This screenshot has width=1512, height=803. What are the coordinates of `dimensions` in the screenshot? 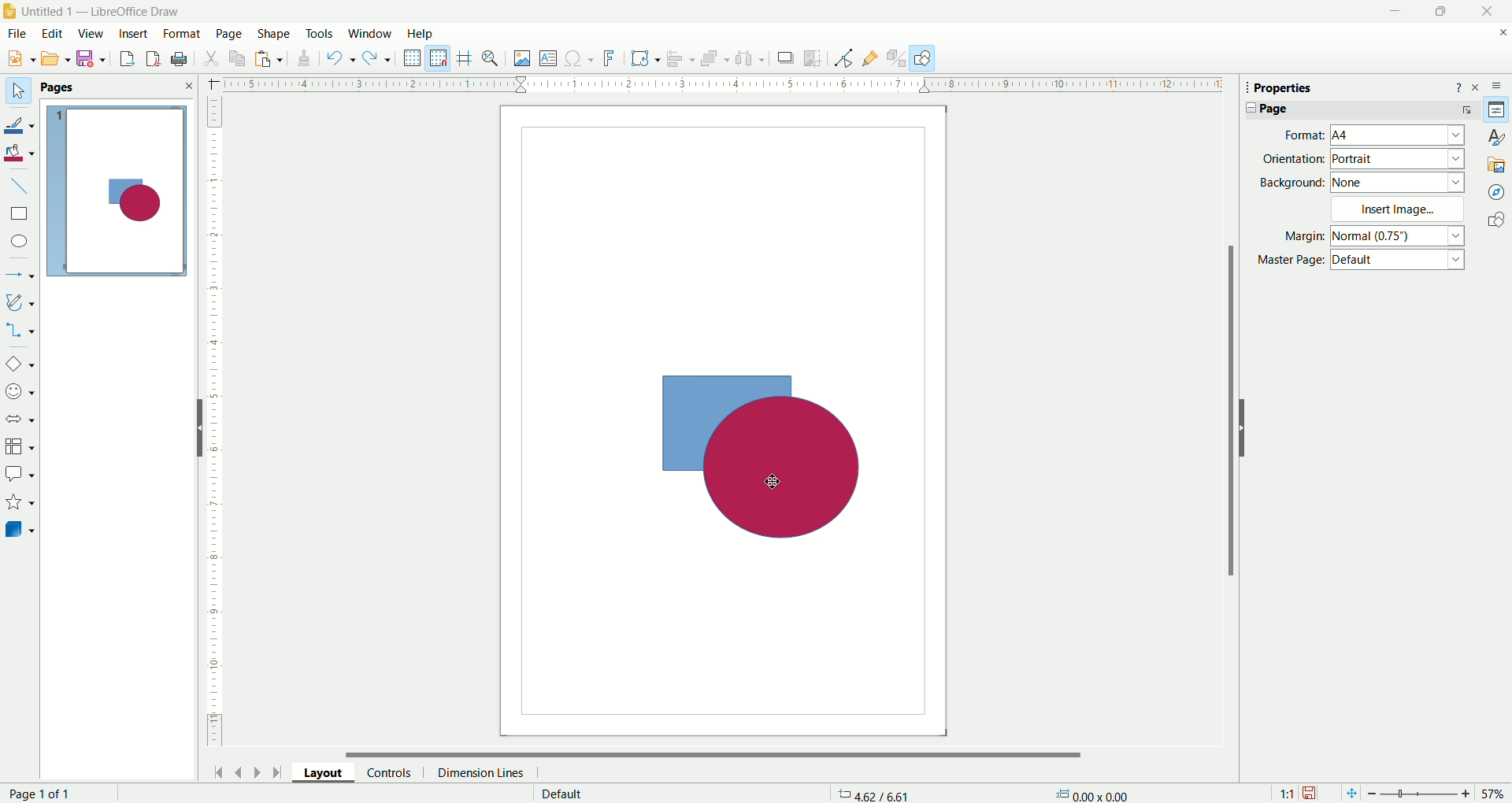 It's located at (1094, 794).